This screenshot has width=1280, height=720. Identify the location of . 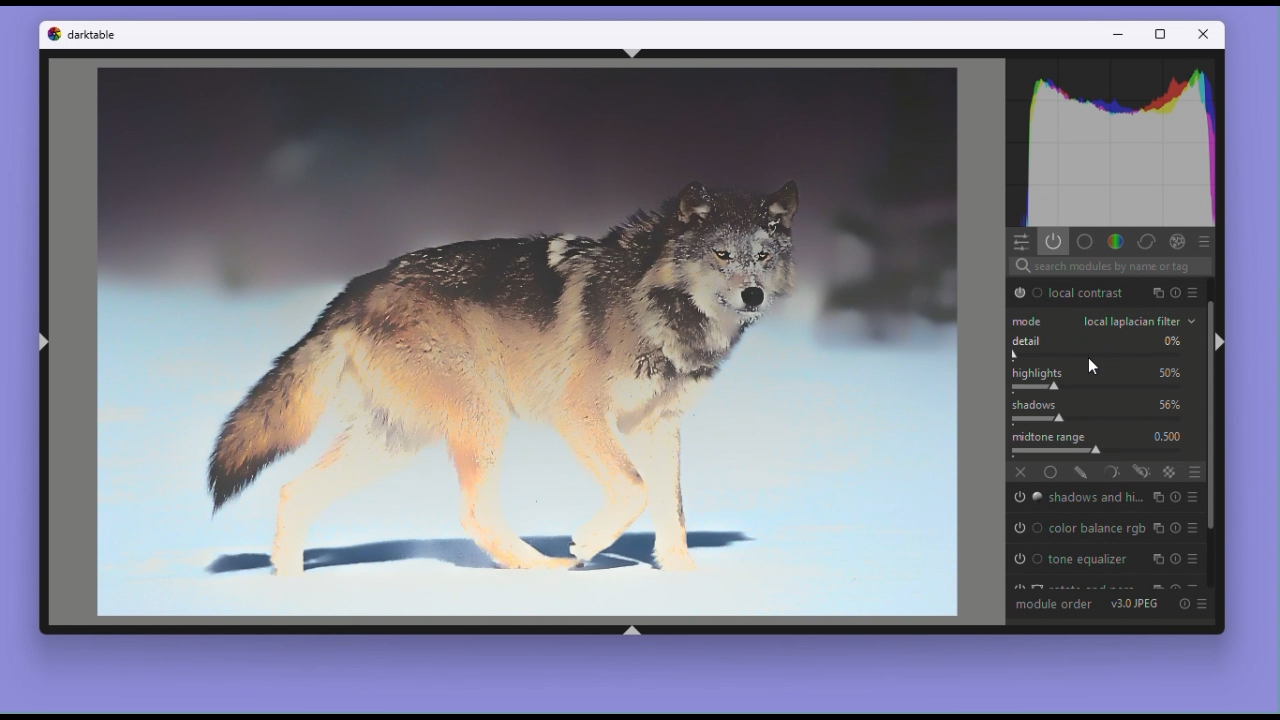
(1155, 294).